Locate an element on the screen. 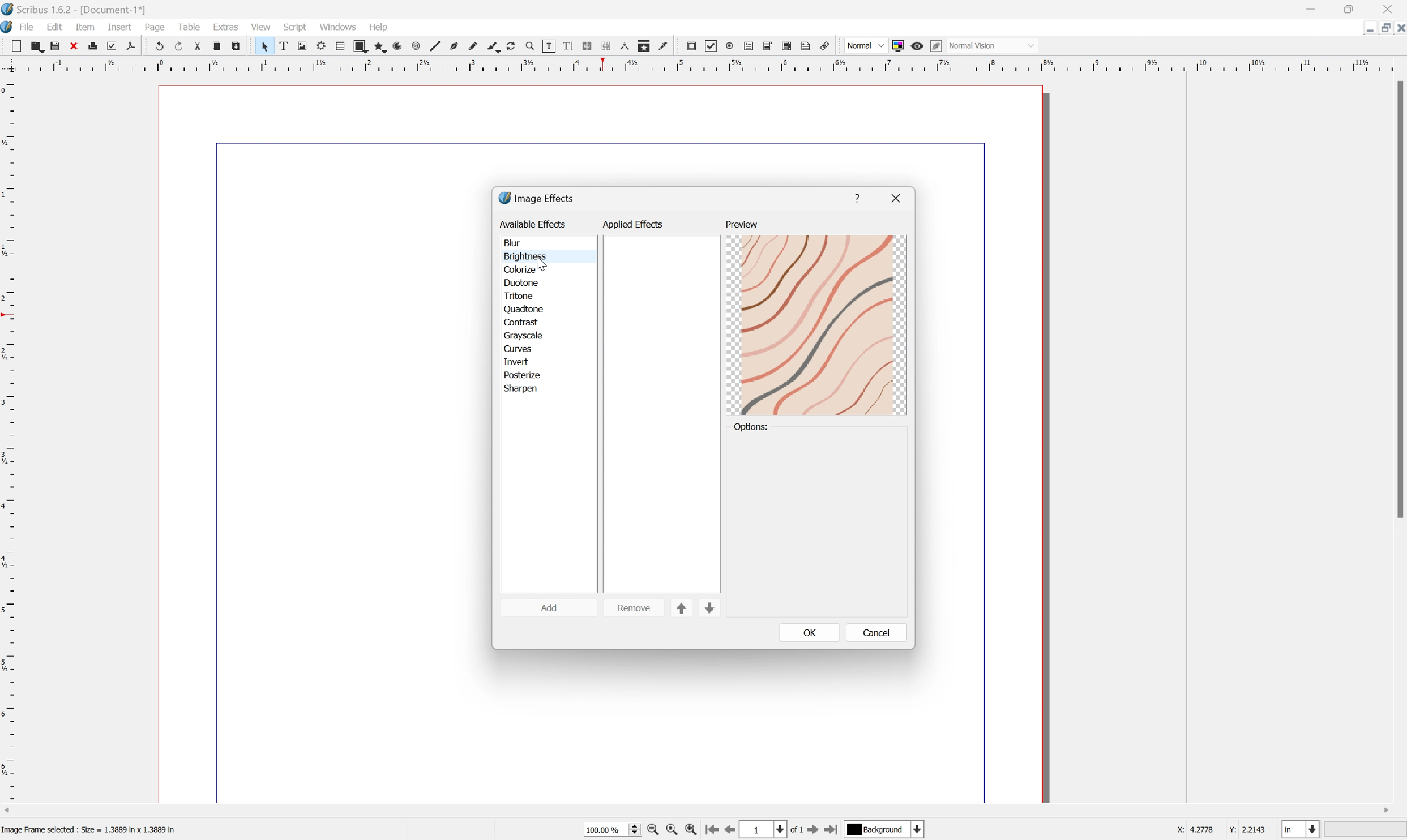  contrast is located at coordinates (525, 320).